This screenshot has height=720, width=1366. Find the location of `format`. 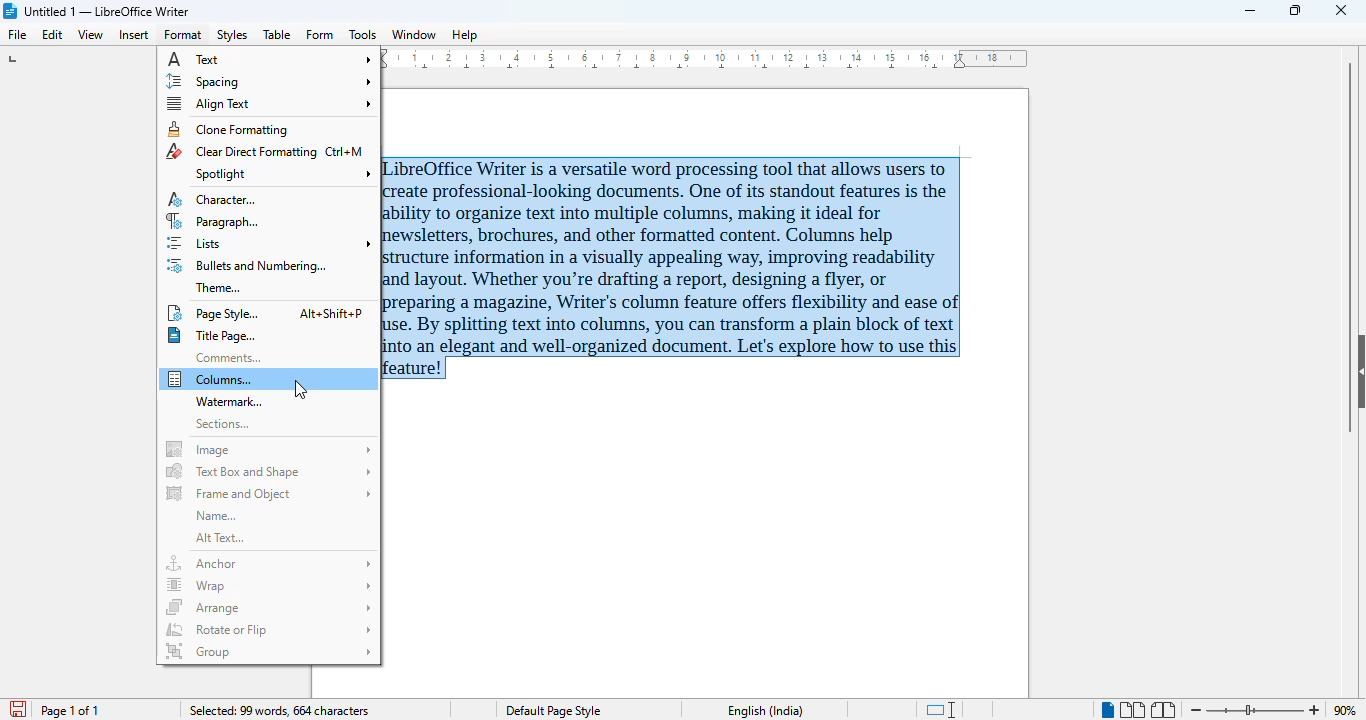

format is located at coordinates (183, 35).